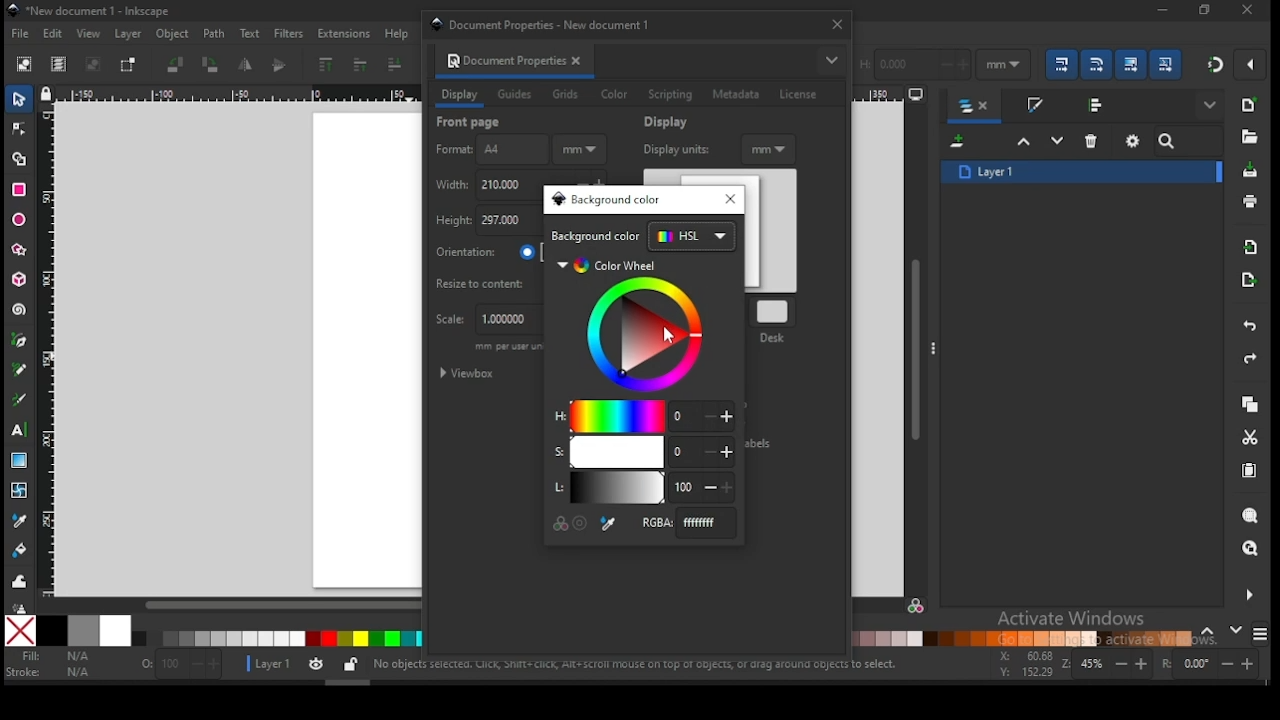 The height and width of the screenshot is (720, 1280). I want to click on lower, so click(395, 65).